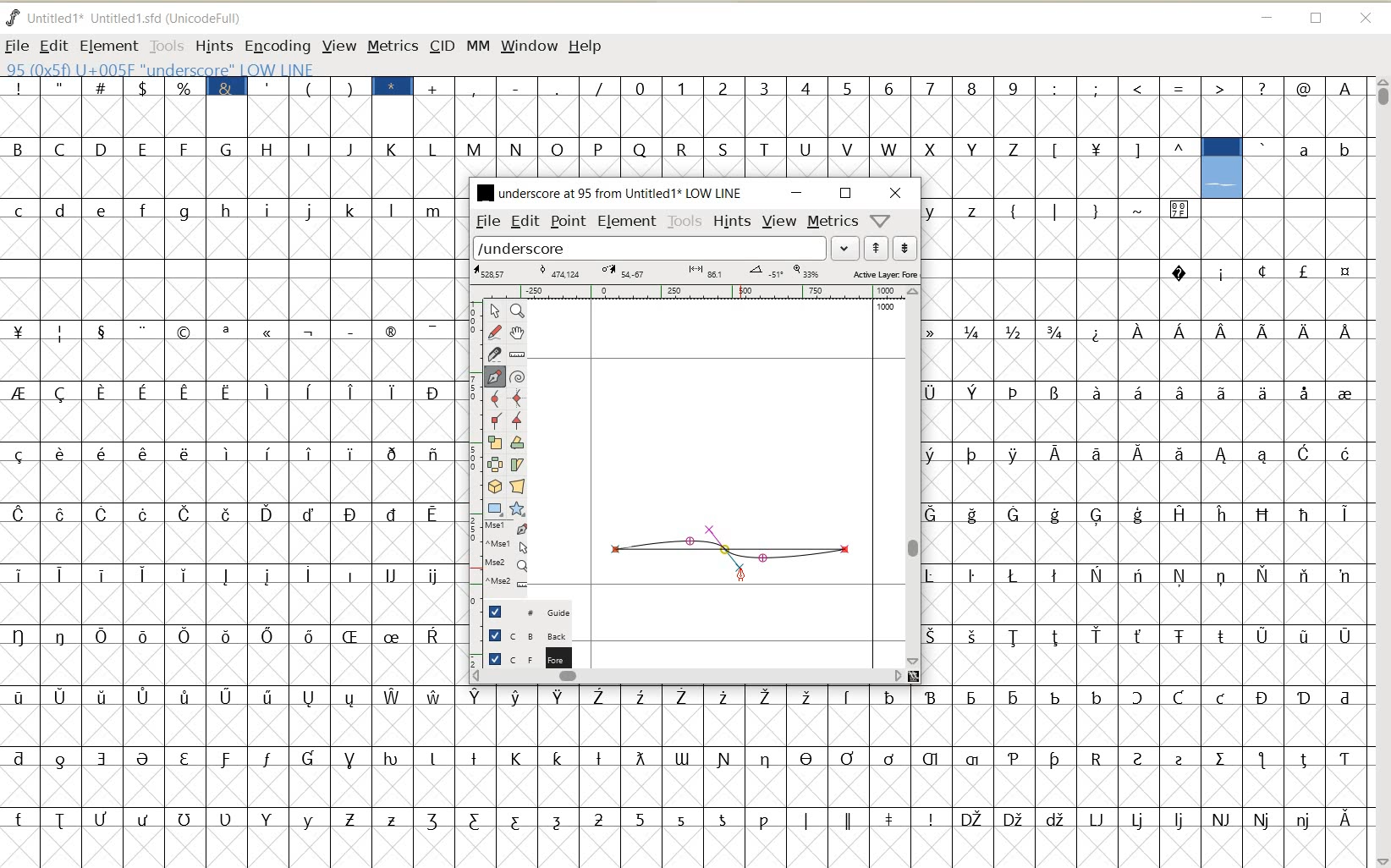  I want to click on WINDOW, so click(530, 47).